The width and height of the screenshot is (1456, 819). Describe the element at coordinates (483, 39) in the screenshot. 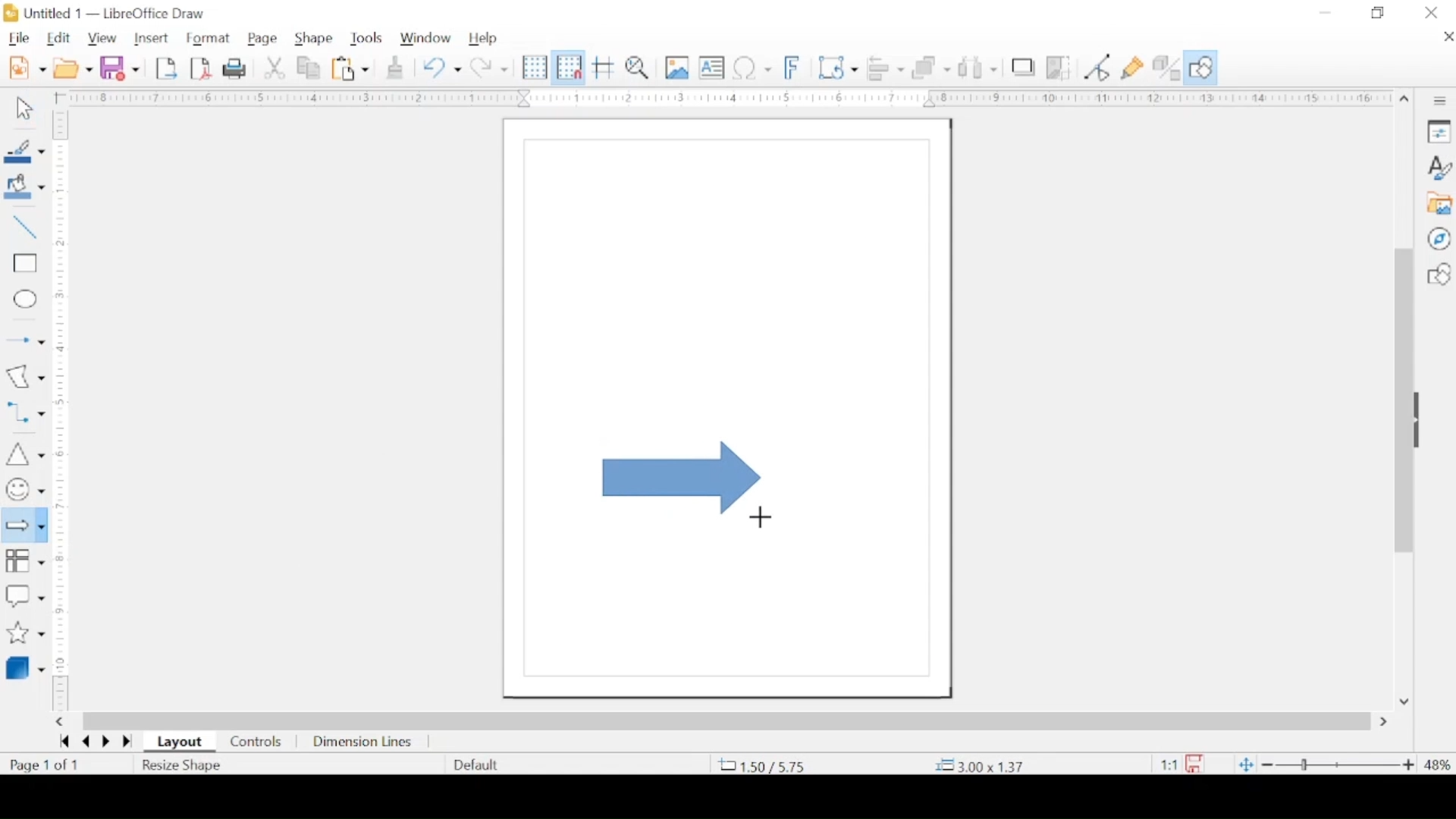

I see `help` at that location.